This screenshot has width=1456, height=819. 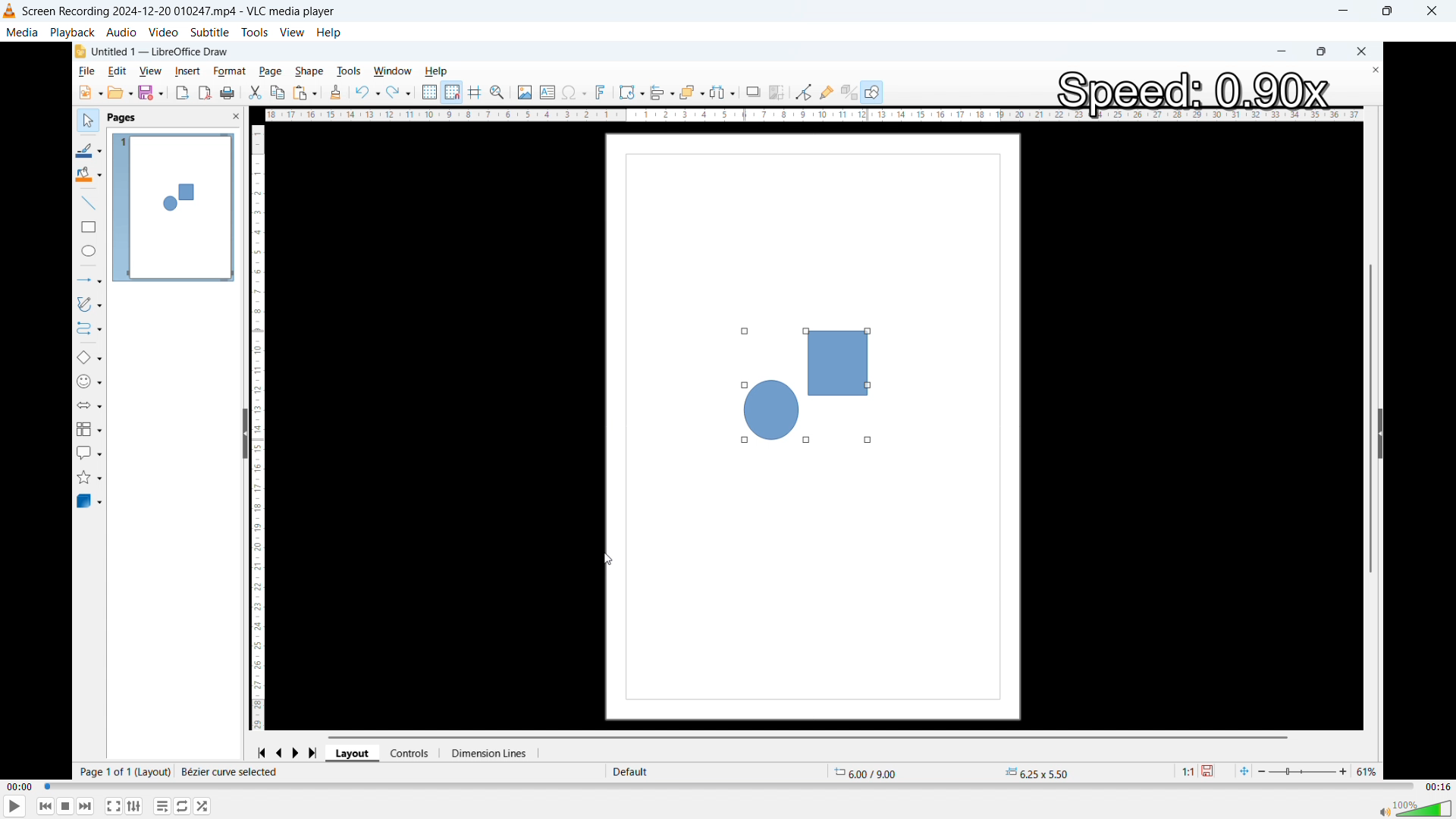 I want to click on Playback , so click(x=72, y=32).